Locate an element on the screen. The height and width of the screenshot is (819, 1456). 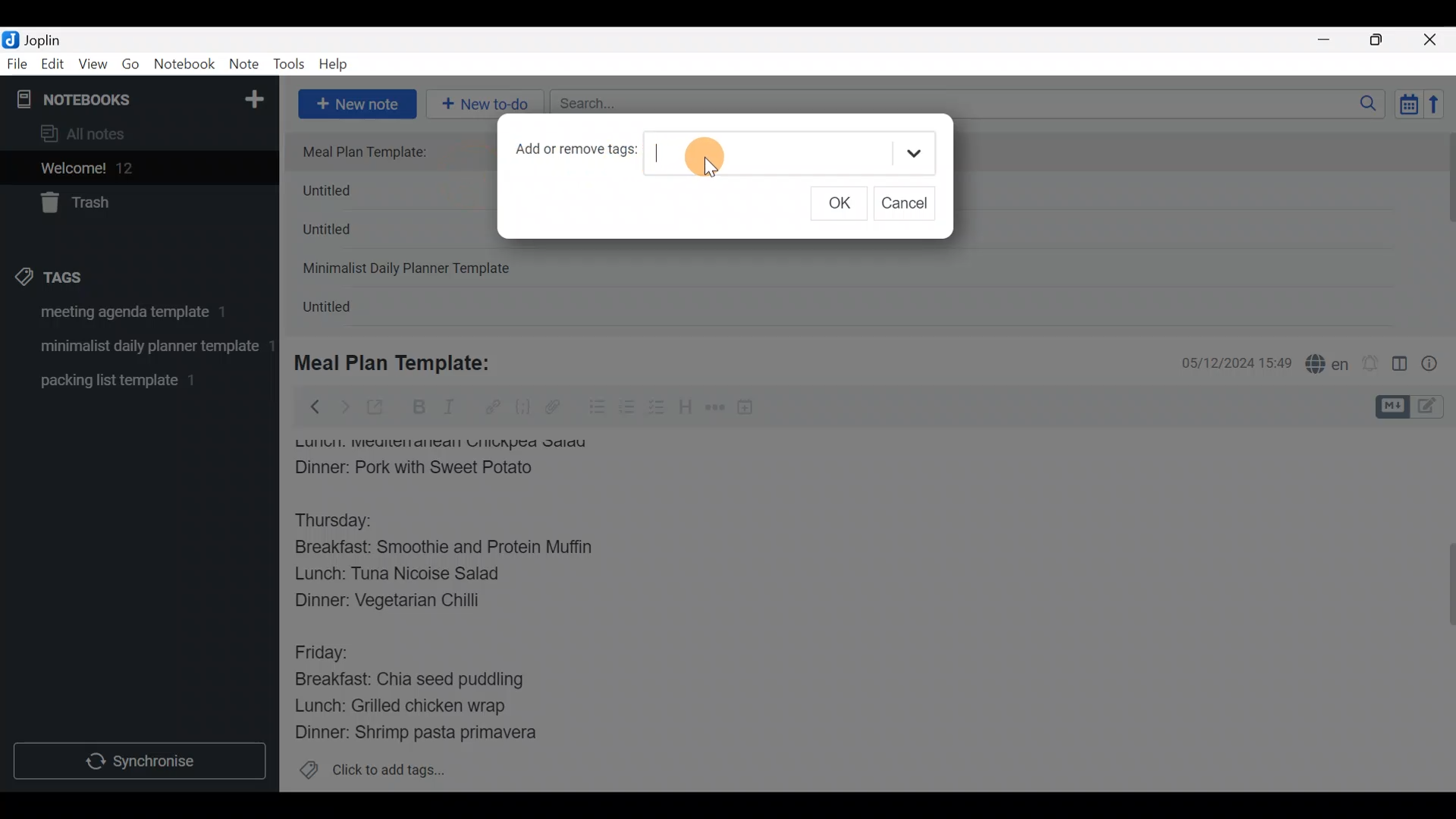
All notes is located at coordinates (136, 135).